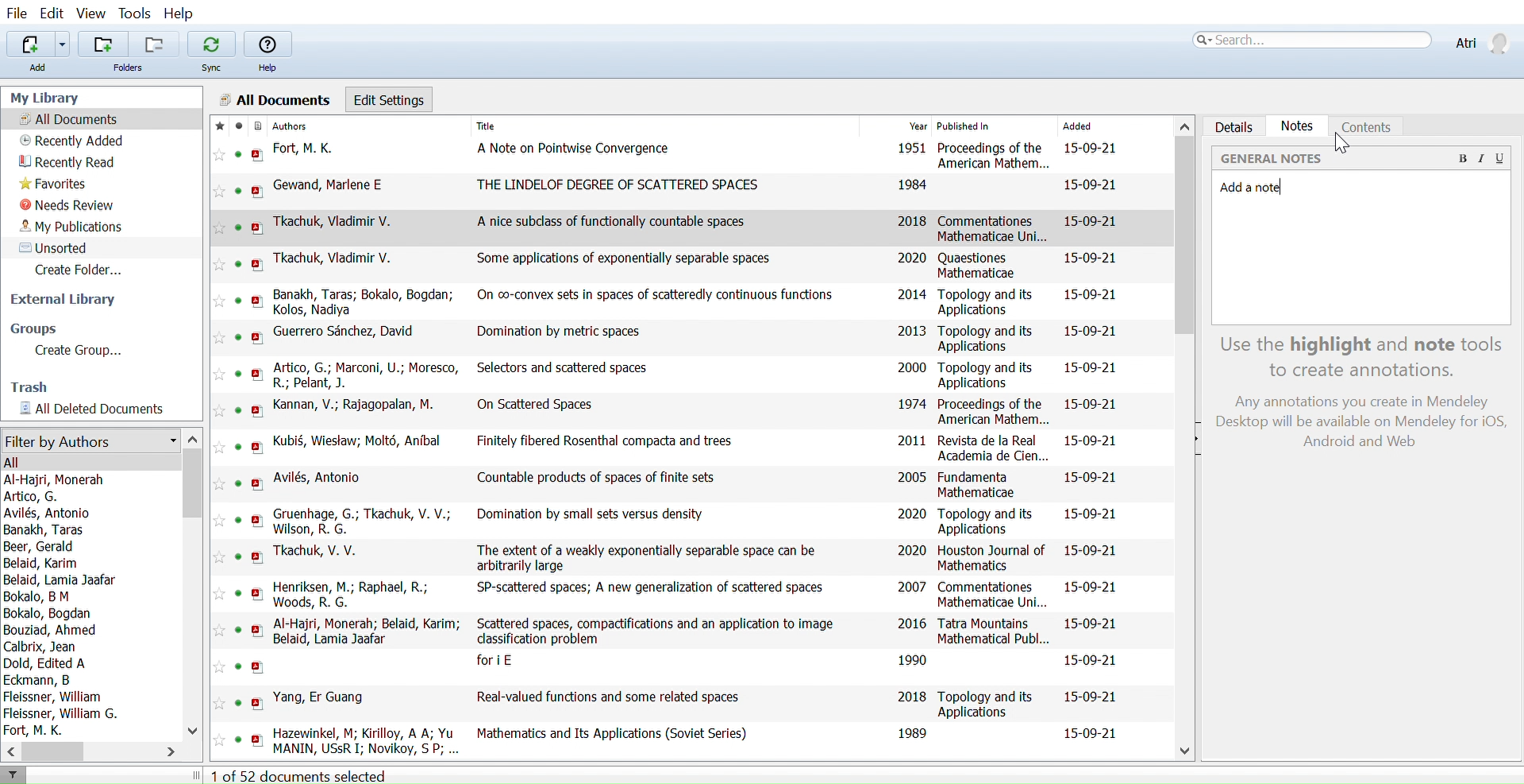 This screenshot has width=1524, height=784. What do you see at coordinates (52, 631) in the screenshot?
I see `Bouziad, Ahmed` at bounding box center [52, 631].